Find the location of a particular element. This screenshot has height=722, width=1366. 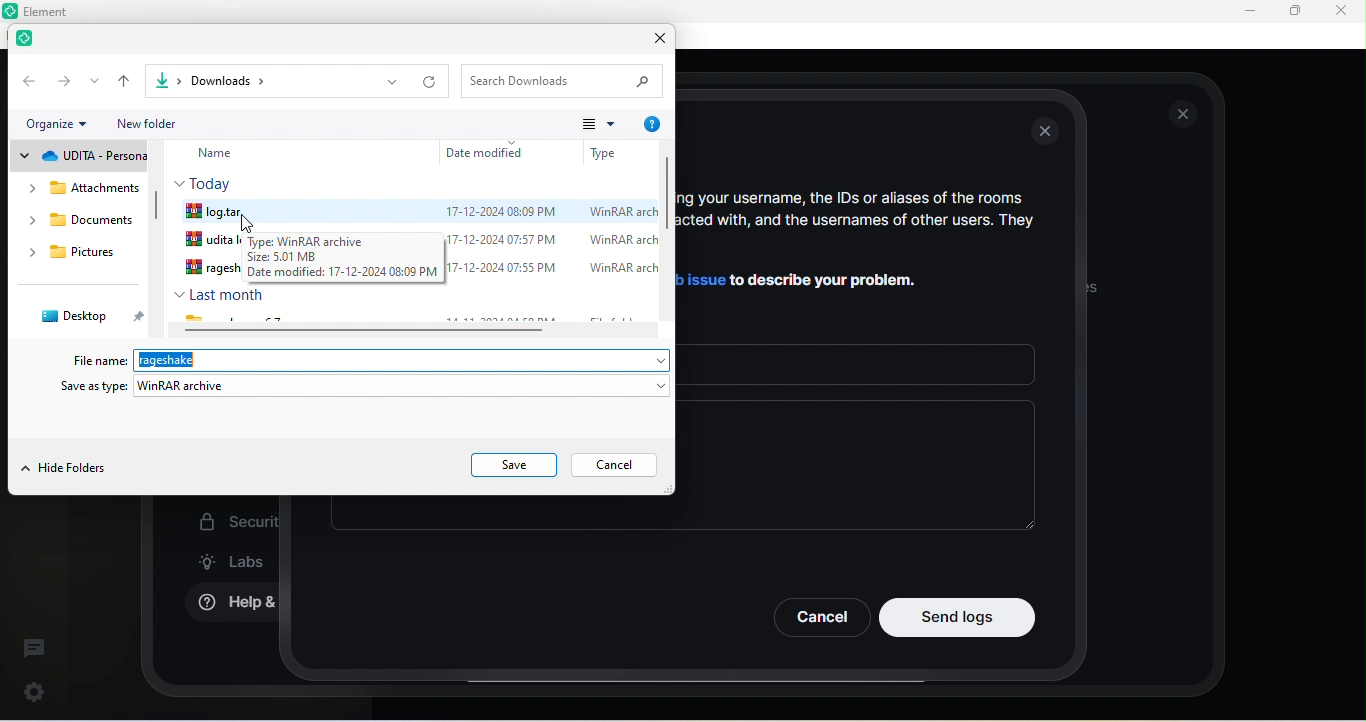

pictures is located at coordinates (81, 255).